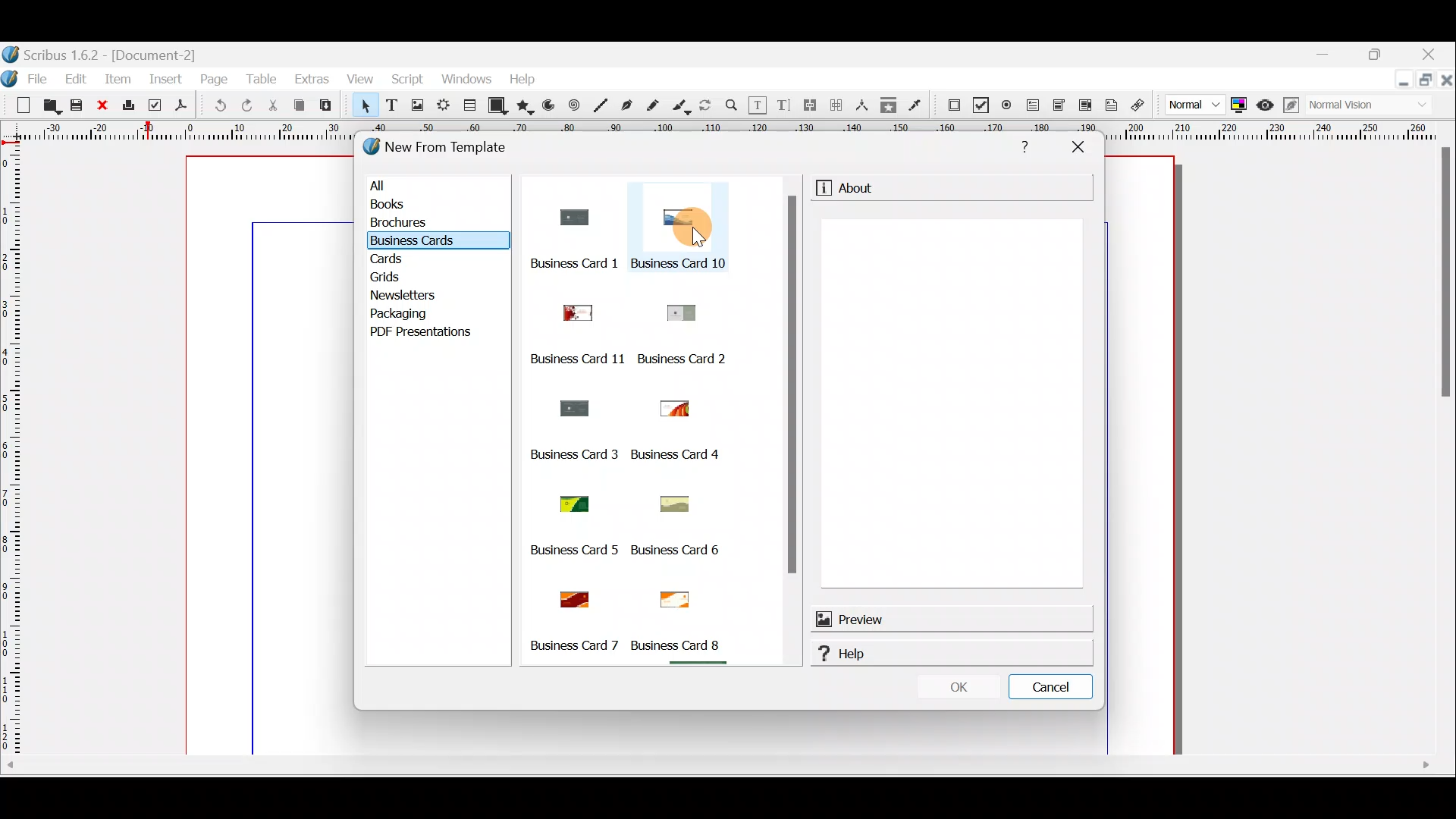 The height and width of the screenshot is (819, 1456). What do you see at coordinates (889, 104) in the screenshot?
I see `Copy item properties` at bounding box center [889, 104].